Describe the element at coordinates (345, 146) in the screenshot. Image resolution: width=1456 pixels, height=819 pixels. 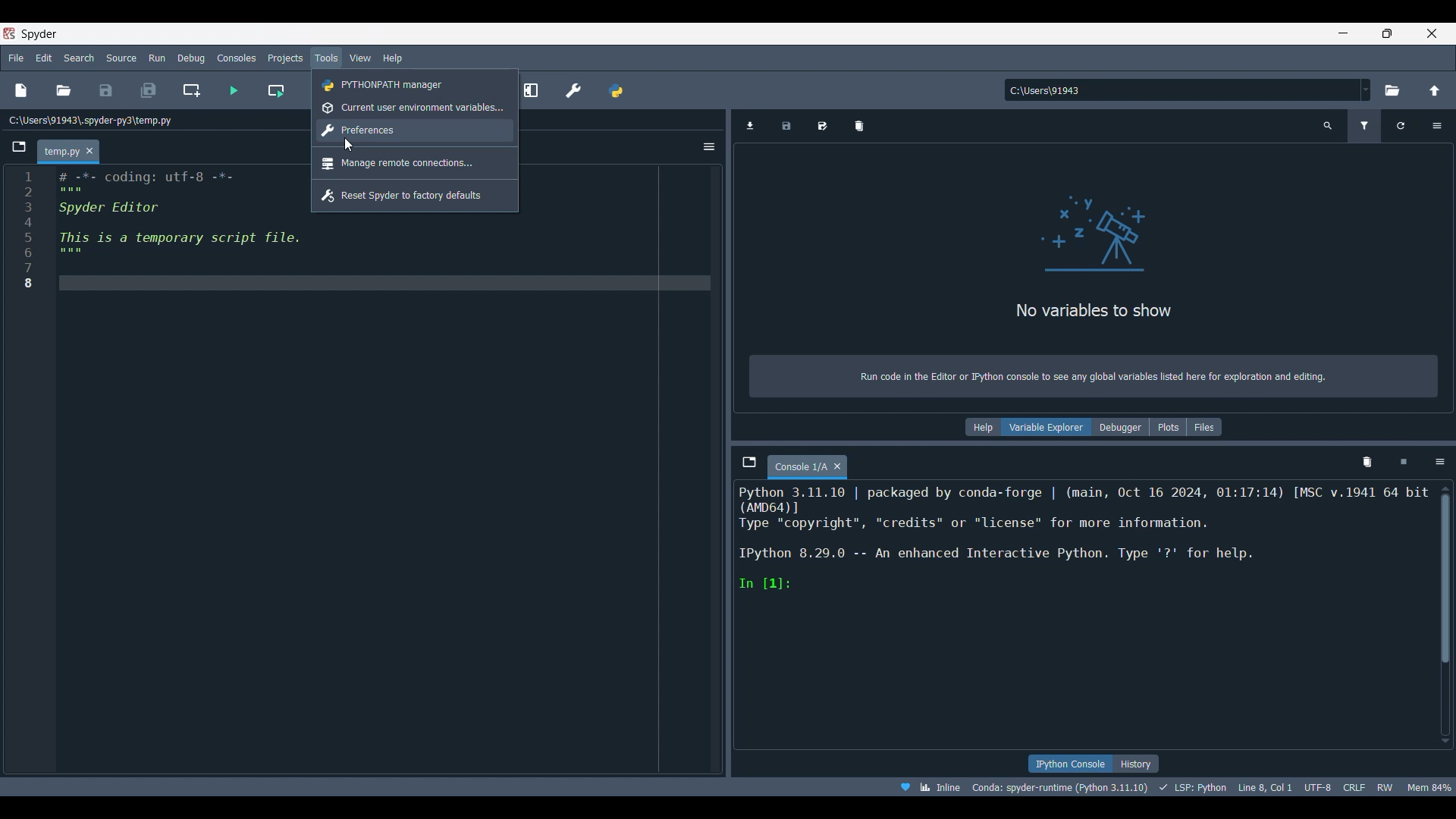
I see `cursor` at that location.